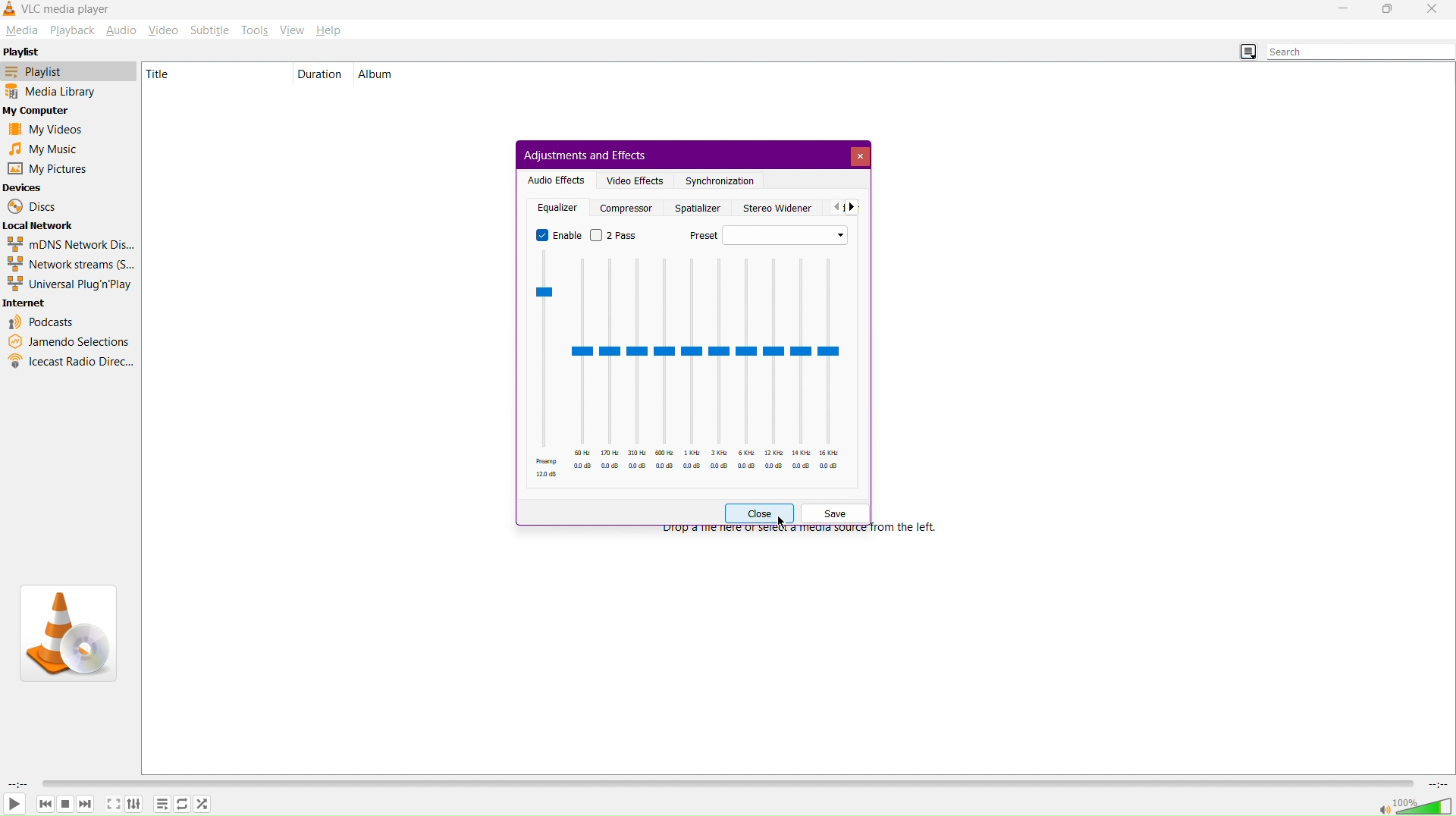  I want to click on Front, so click(856, 207).